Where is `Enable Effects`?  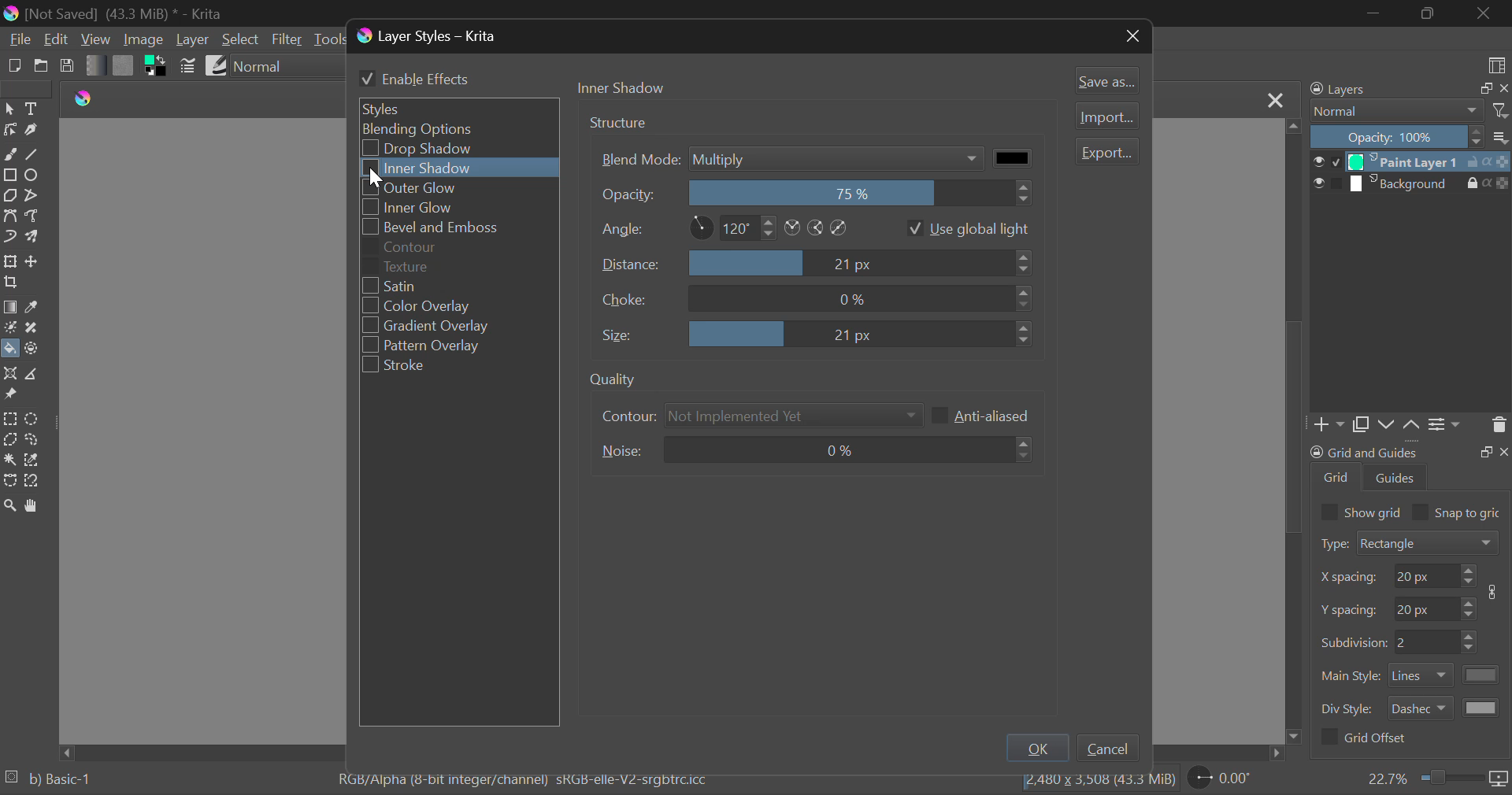 Enable Effects is located at coordinates (425, 79).